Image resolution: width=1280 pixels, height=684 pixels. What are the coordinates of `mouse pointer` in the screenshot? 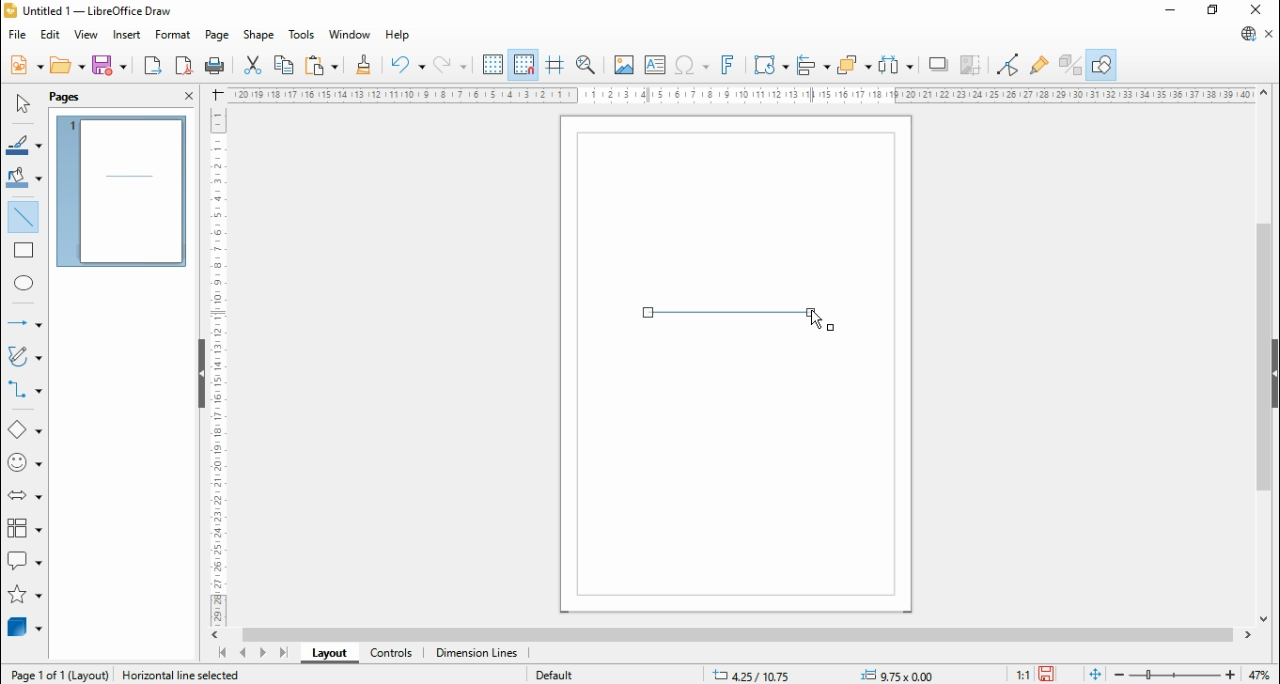 It's located at (822, 319).